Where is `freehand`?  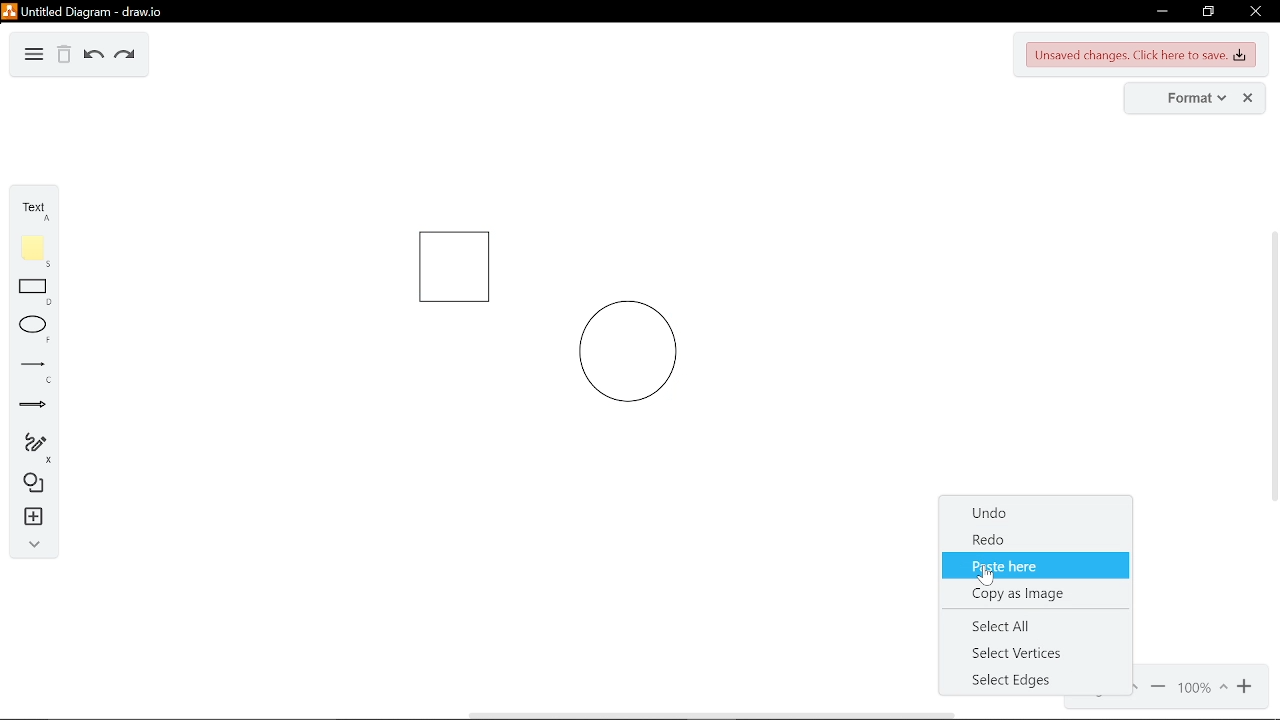 freehand is located at coordinates (31, 448).